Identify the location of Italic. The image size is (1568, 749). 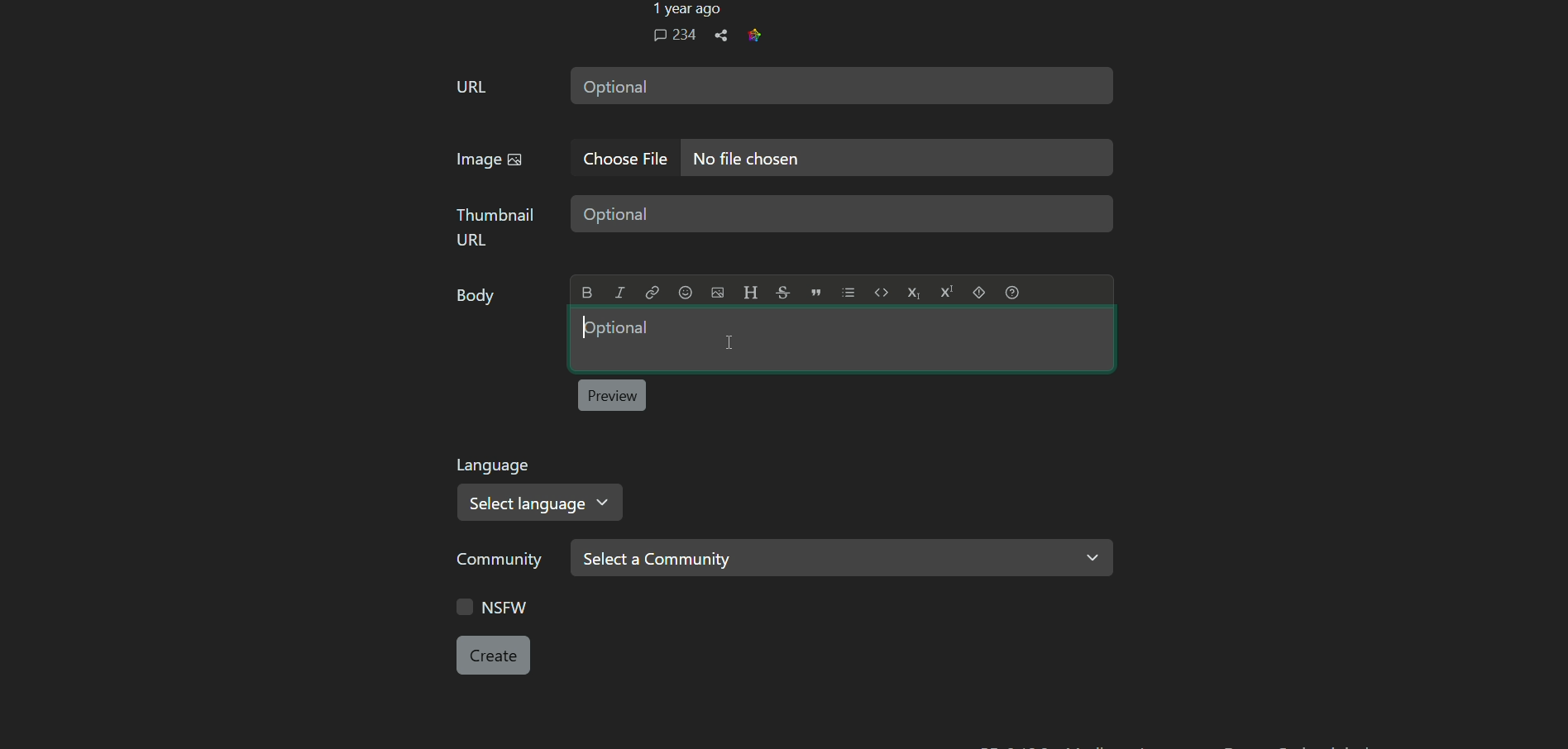
(619, 293).